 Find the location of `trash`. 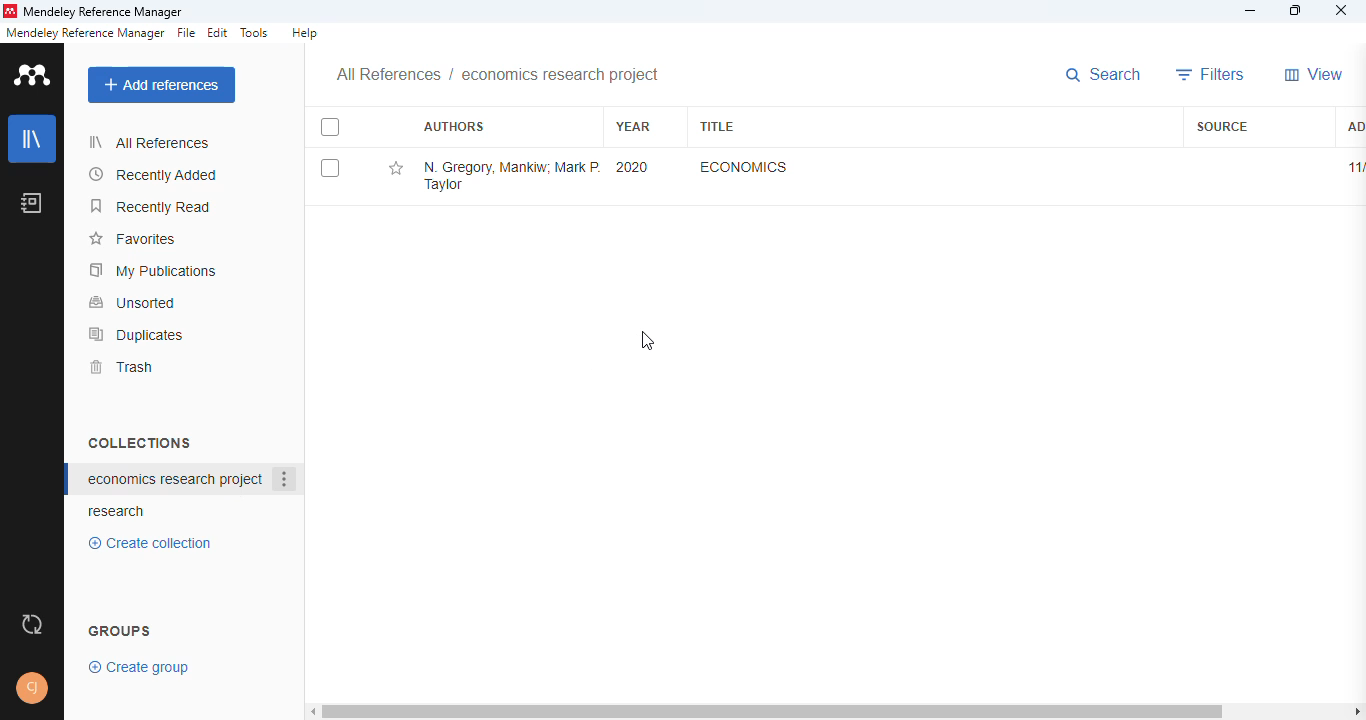

trash is located at coordinates (120, 367).